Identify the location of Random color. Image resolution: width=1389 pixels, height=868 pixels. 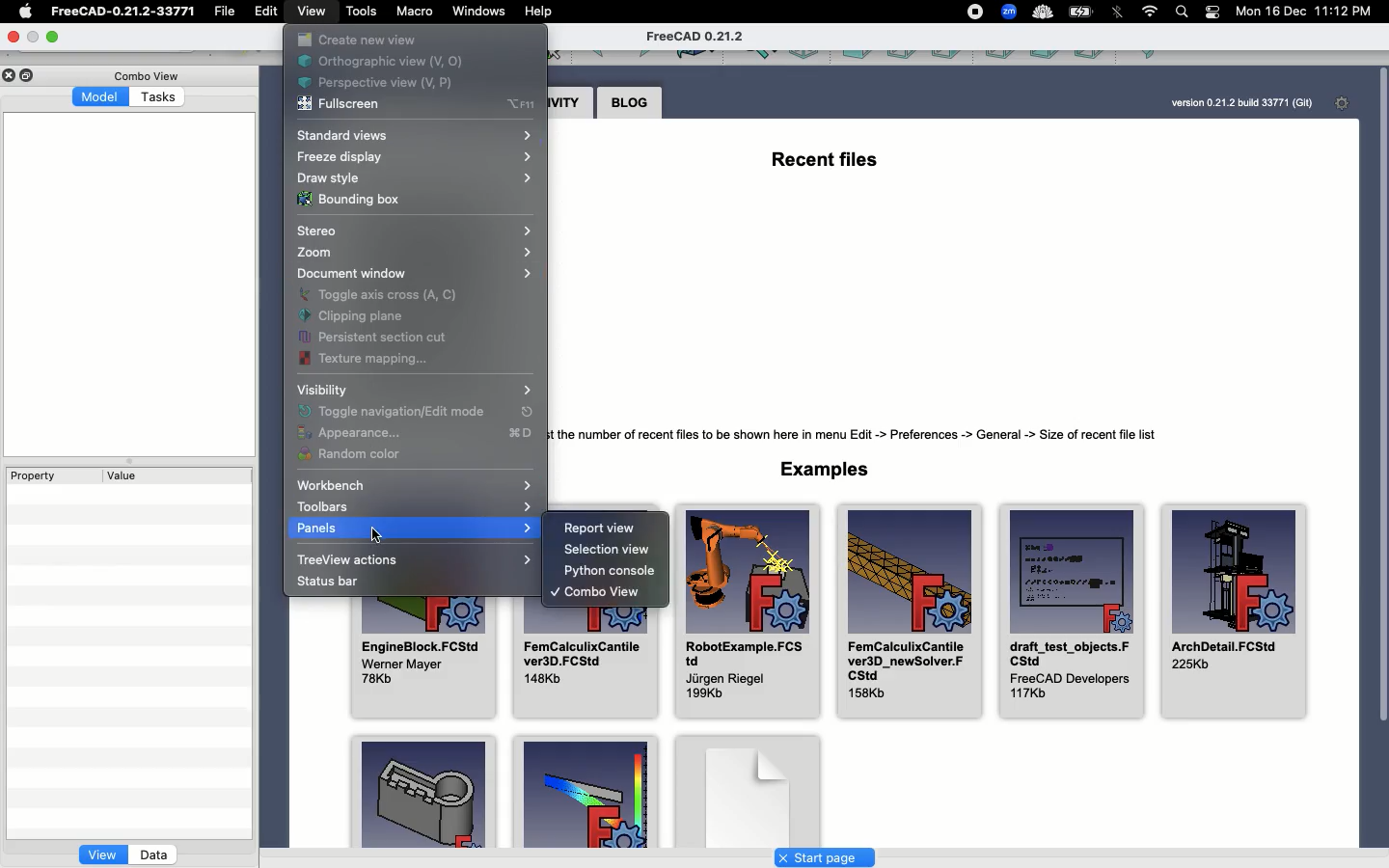
(355, 456).